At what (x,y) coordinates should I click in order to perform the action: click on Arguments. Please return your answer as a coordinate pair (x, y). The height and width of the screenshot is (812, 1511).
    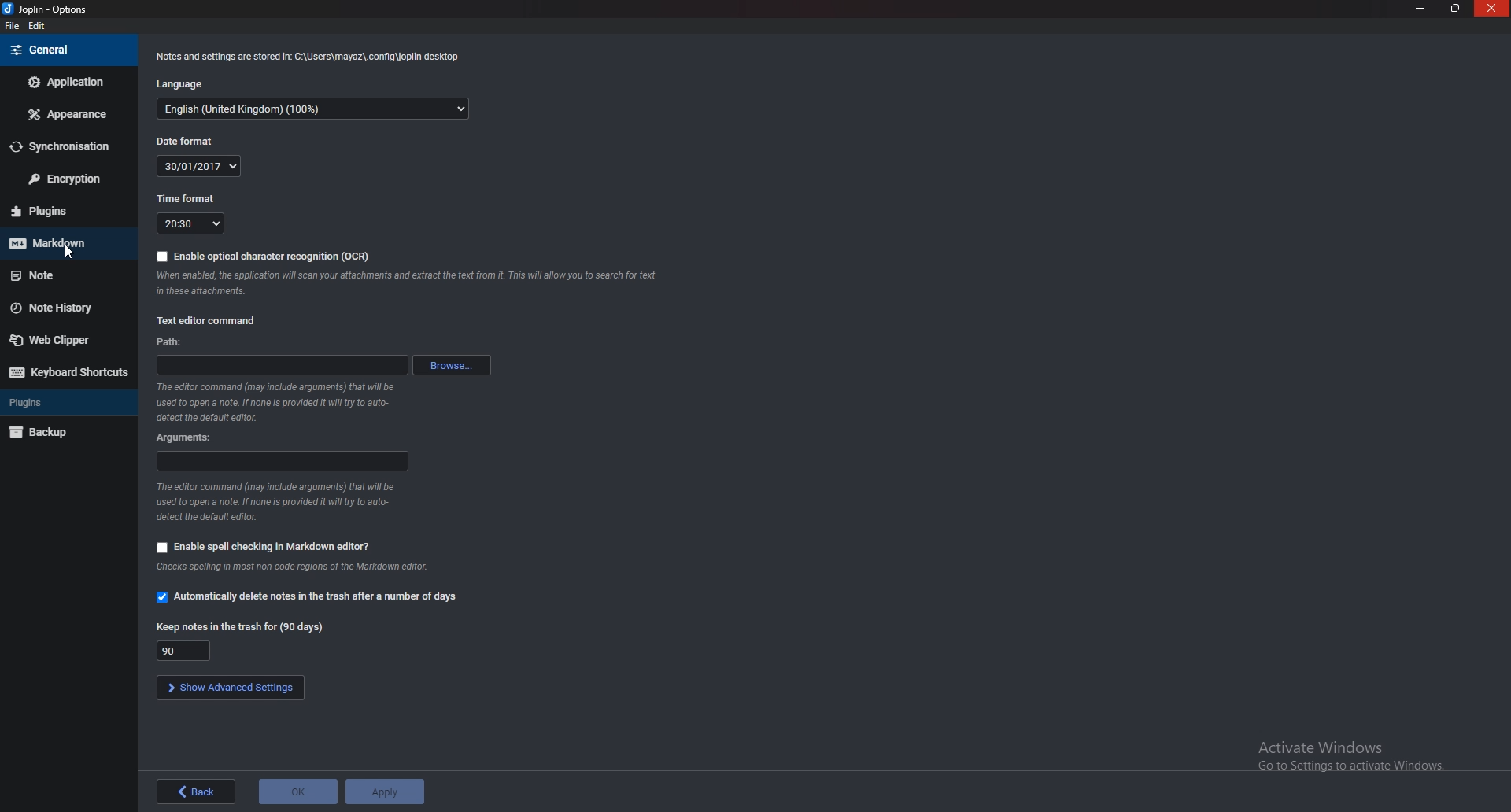
    Looking at the image, I should click on (284, 460).